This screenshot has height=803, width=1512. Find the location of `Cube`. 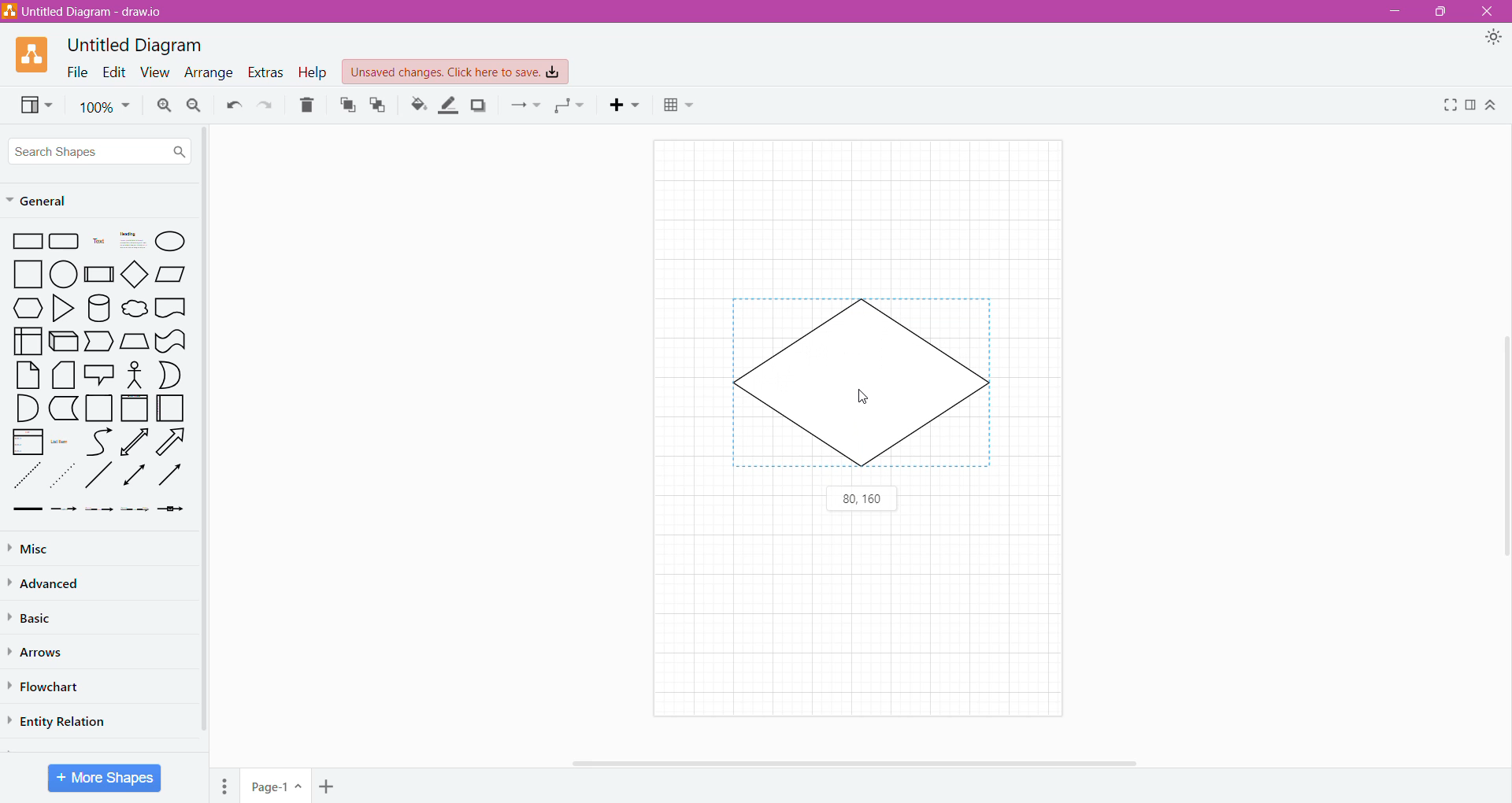

Cube is located at coordinates (62, 342).